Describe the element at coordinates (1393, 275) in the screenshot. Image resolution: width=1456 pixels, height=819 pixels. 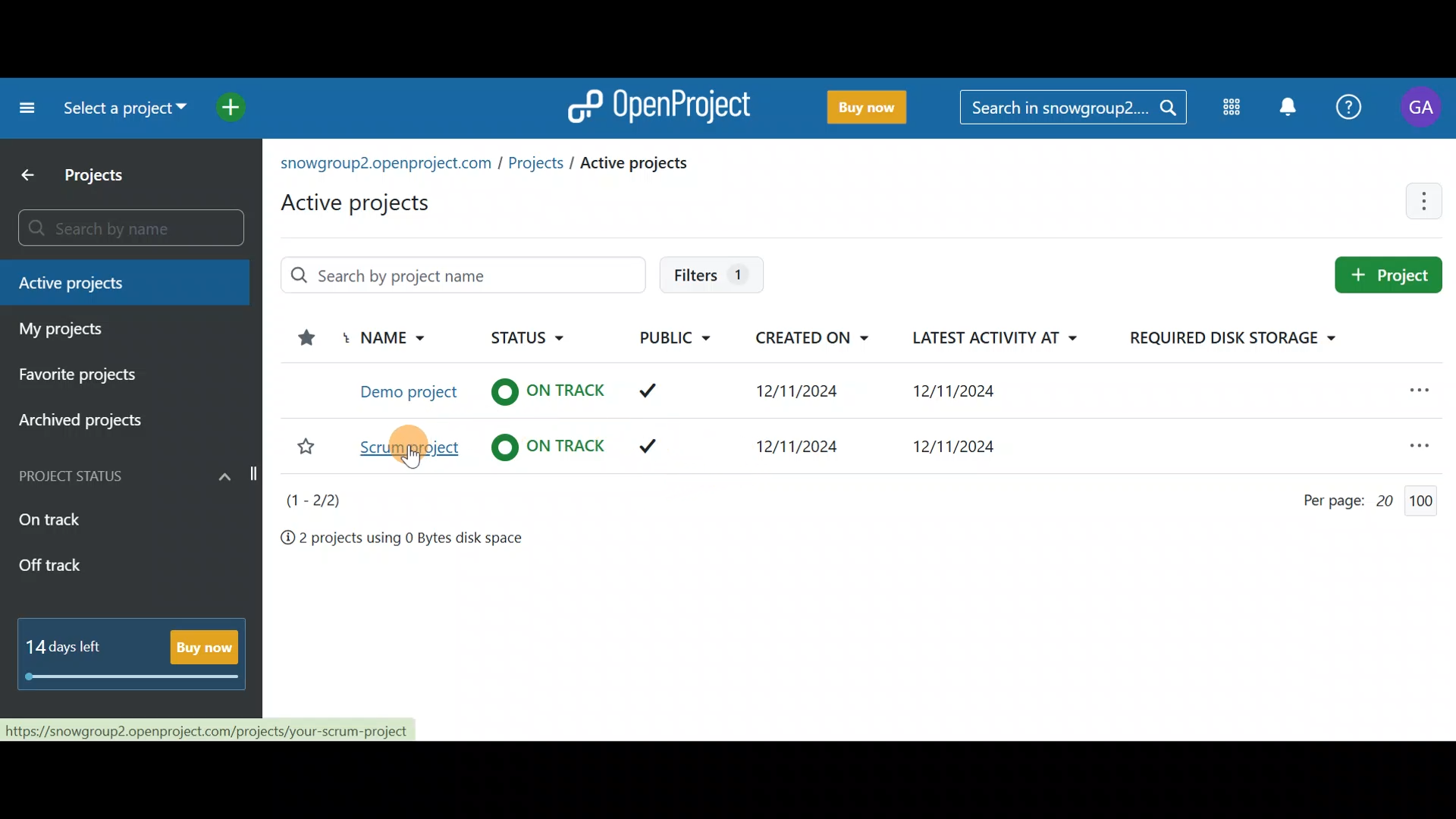
I see `Create new project` at that location.